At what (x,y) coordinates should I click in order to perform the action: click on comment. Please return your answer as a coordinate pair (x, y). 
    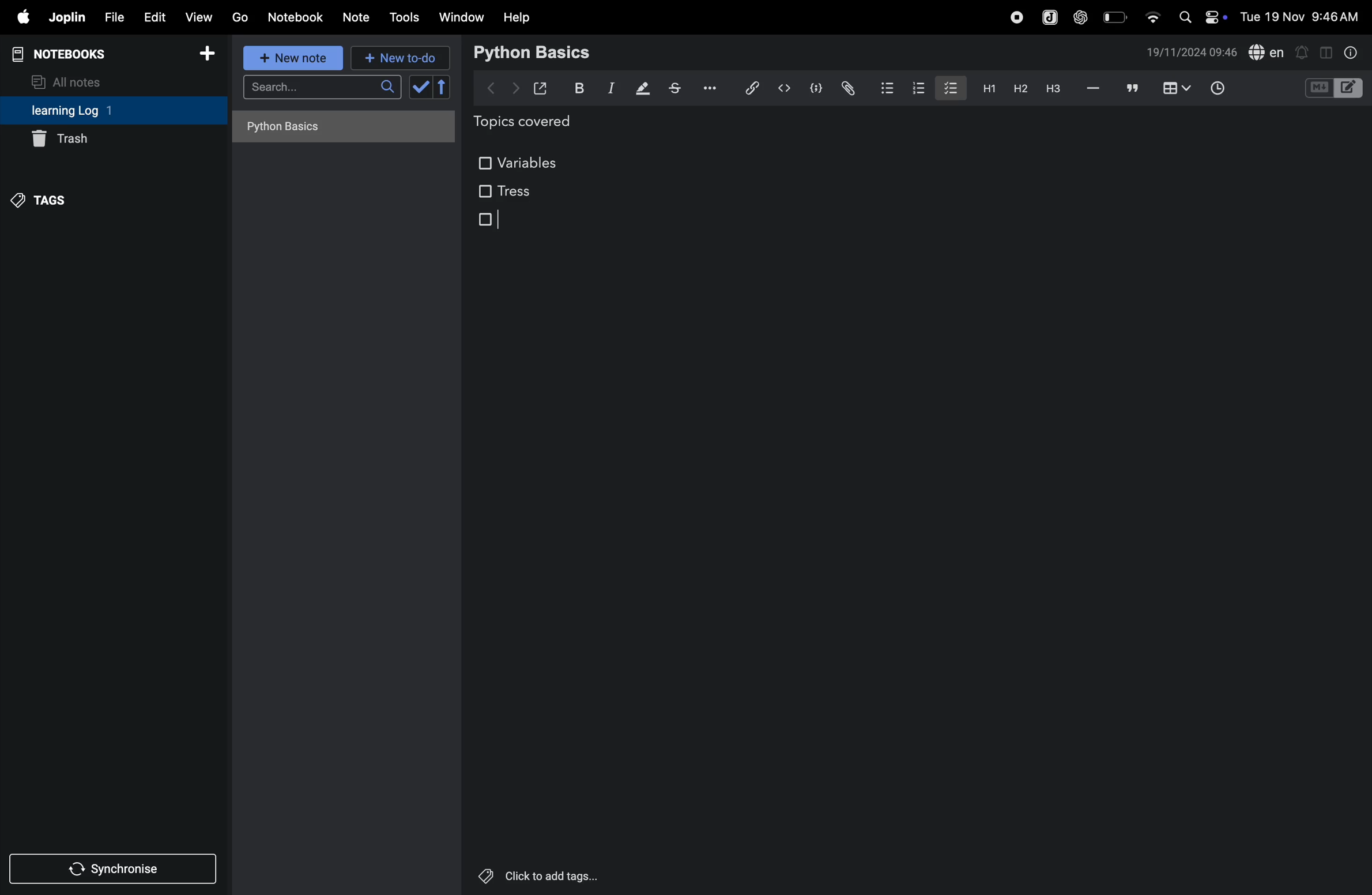
    Looking at the image, I should click on (1133, 89).